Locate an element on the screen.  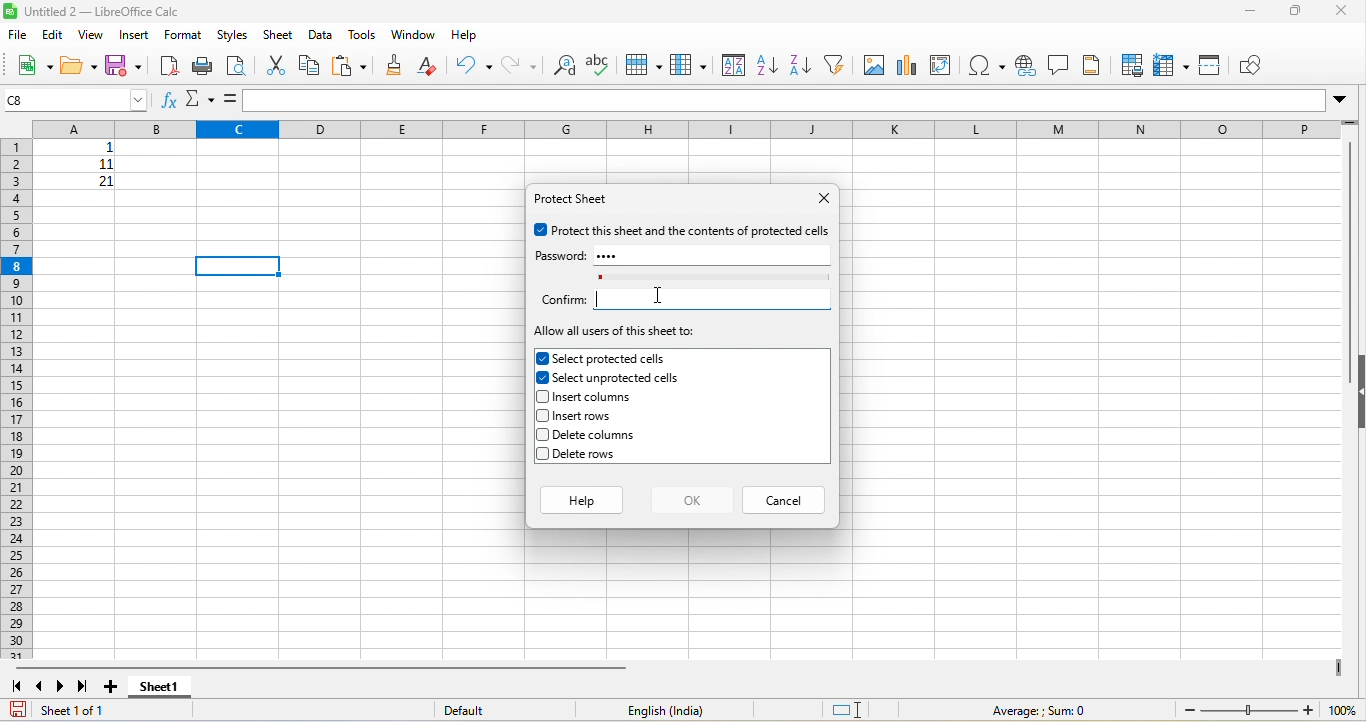
pivot table is located at coordinates (942, 64).